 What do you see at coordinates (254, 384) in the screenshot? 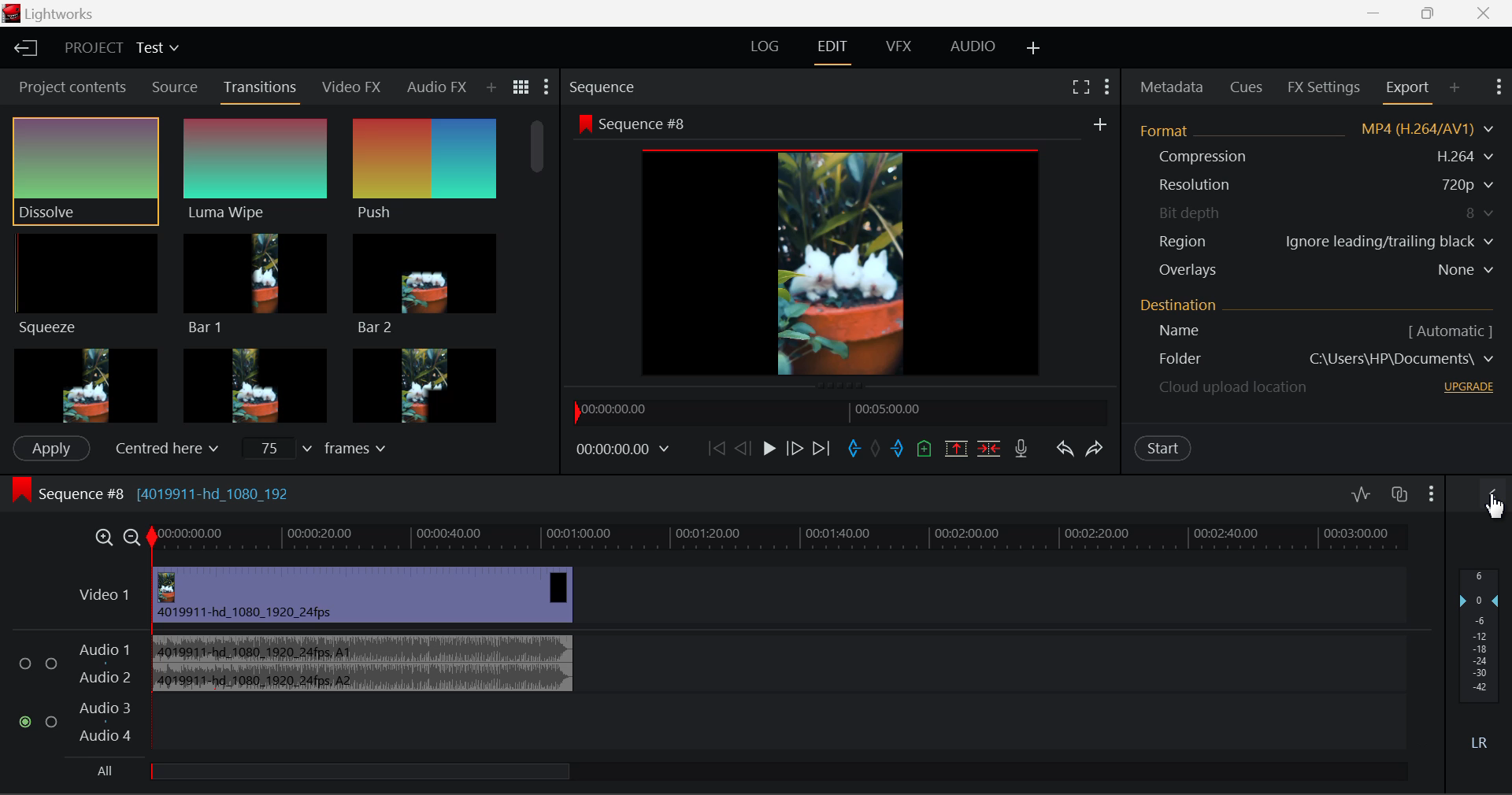
I see `Box 2` at bounding box center [254, 384].